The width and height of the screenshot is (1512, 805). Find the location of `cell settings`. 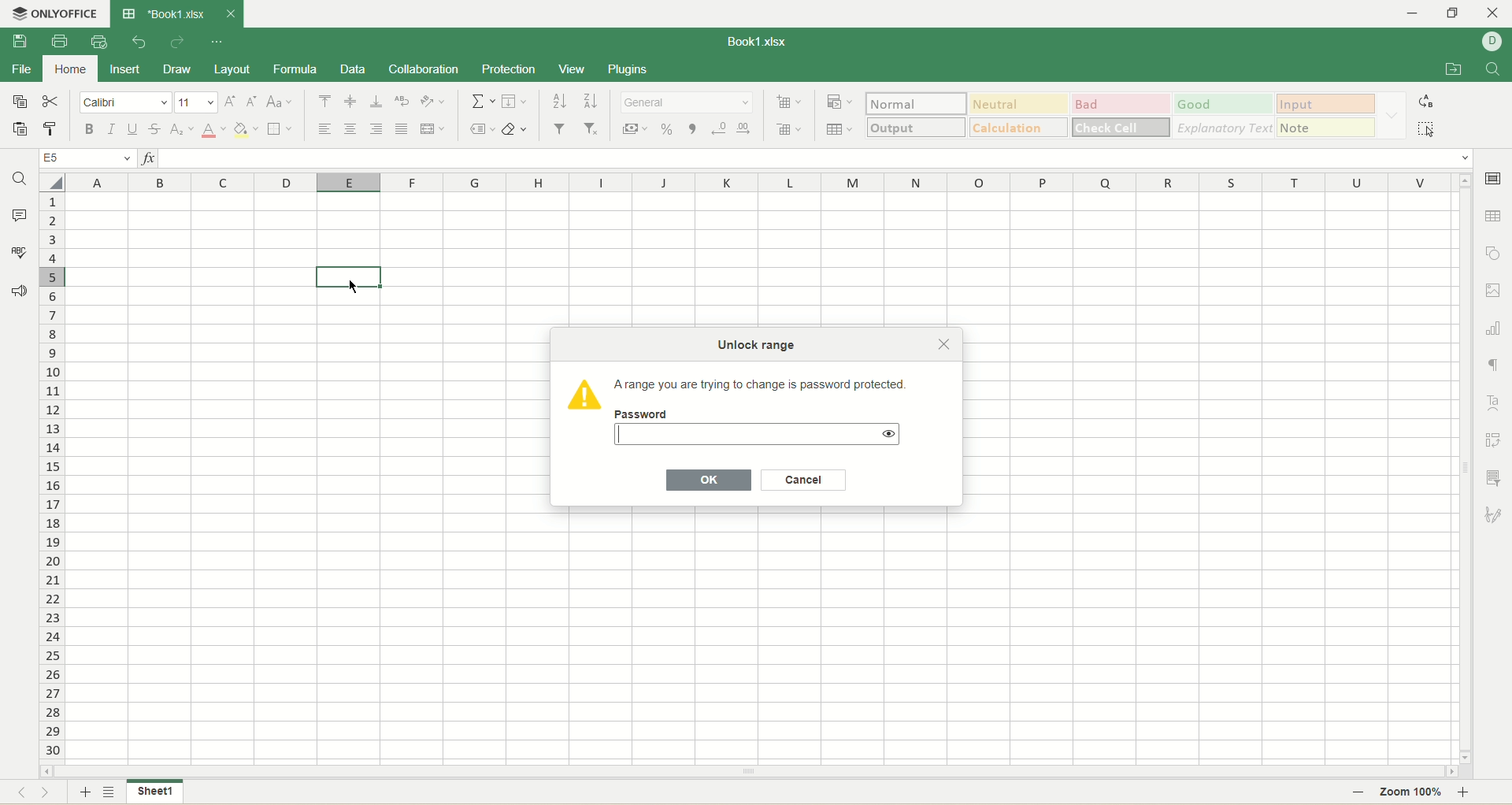

cell settings is located at coordinates (1496, 180).